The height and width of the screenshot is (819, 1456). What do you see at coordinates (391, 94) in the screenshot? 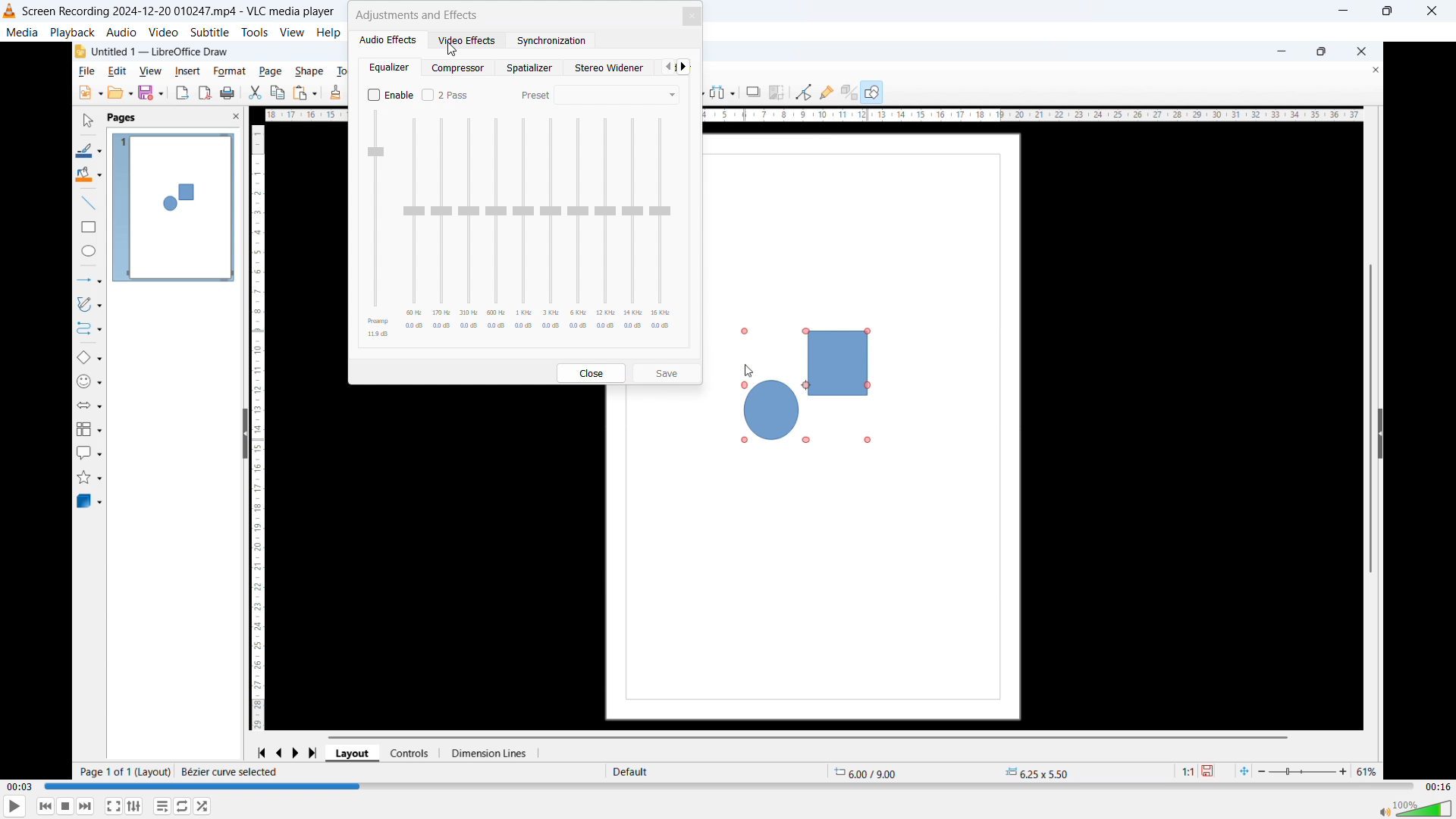
I see `Enable ` at bounding box center [391, 94].